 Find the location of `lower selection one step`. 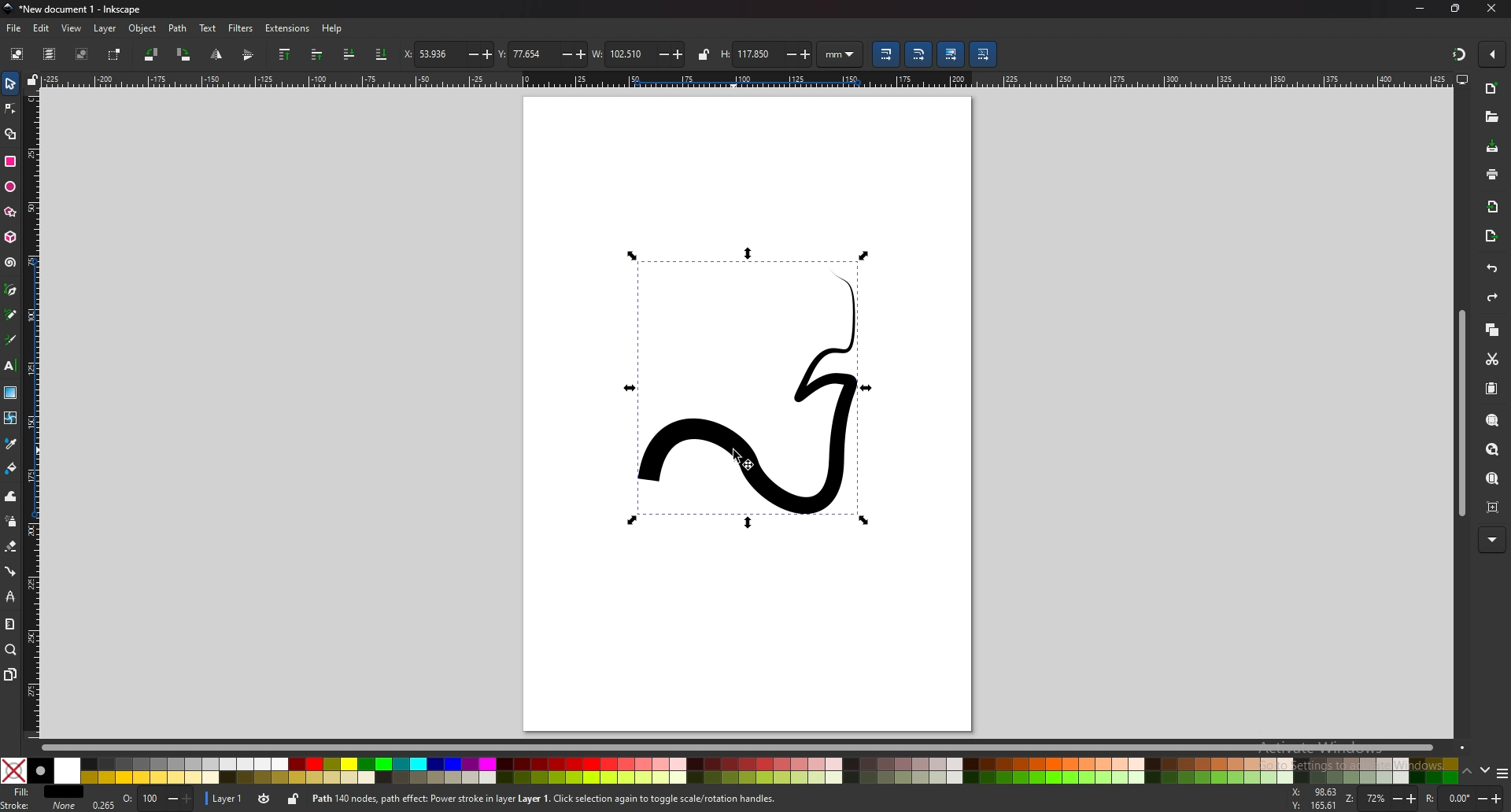

lower selection one step is located at coordinates (349, 54).